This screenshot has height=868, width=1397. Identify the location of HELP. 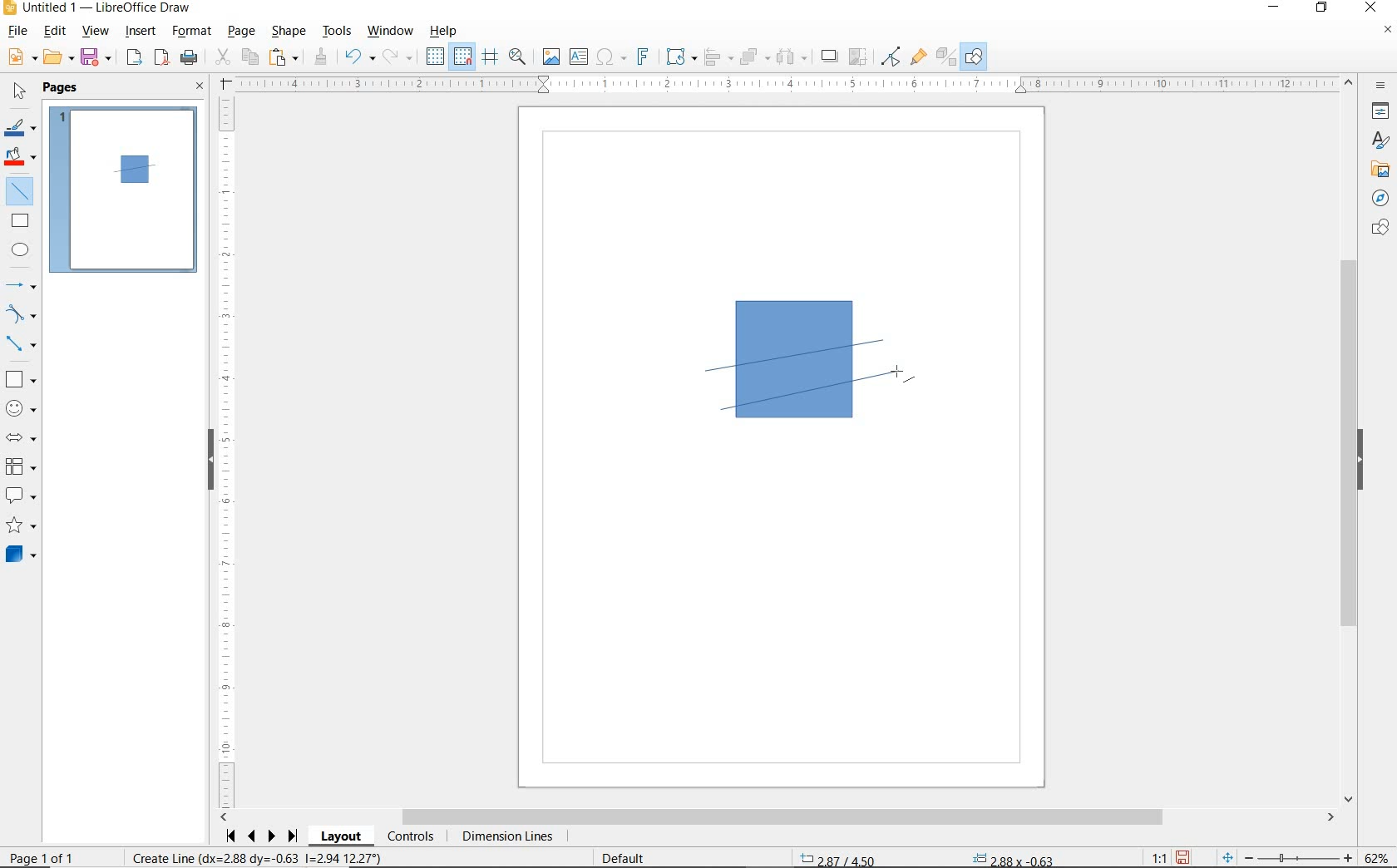
(447, 31).